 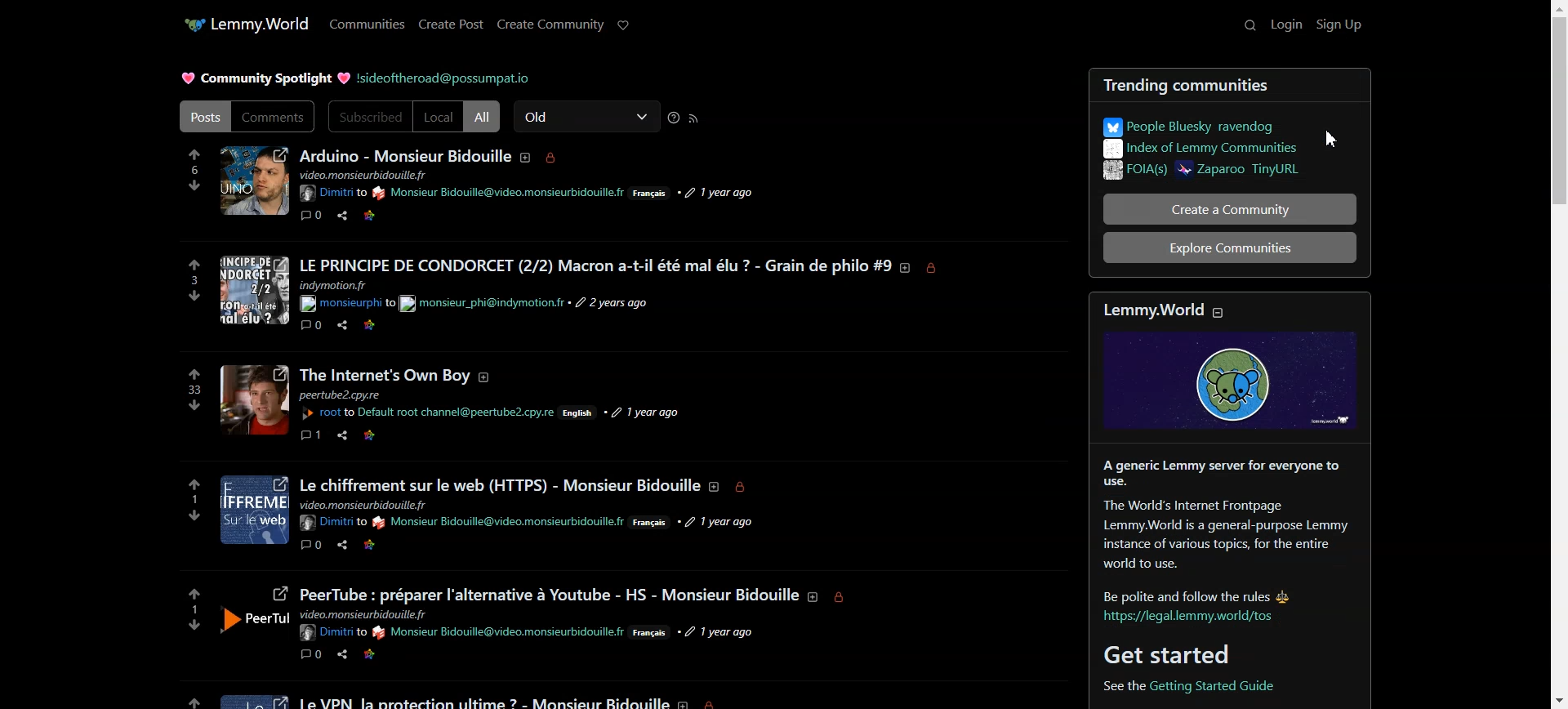 What do you see at coordinates (729, 521) in the screenshot?
I see `1 year ago` at bounding box center [729, 521].